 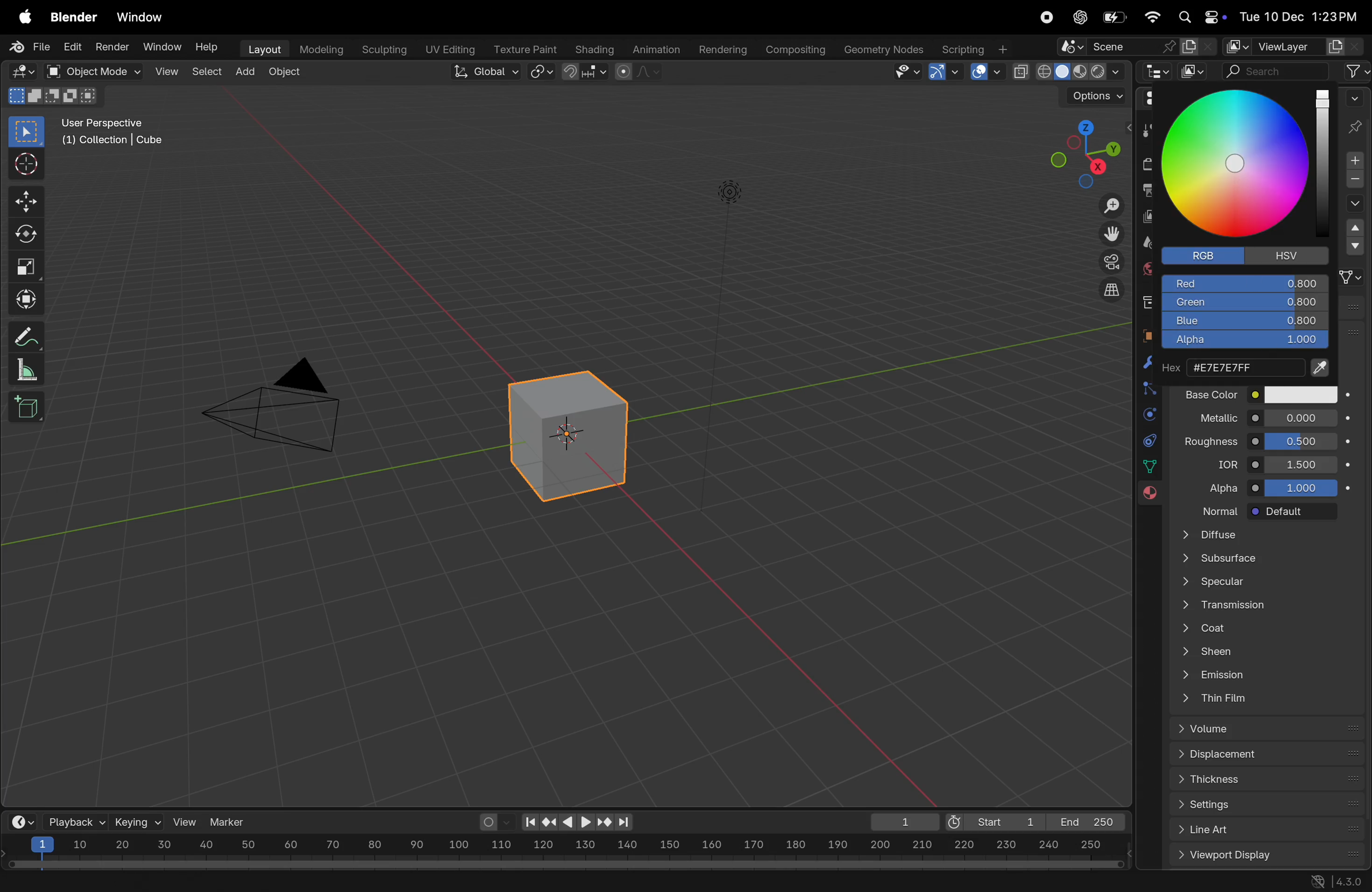 What do you see at coordinates (1273, 651) in the screenshot?
I see `sheen` at bounding box center [1273, 651].